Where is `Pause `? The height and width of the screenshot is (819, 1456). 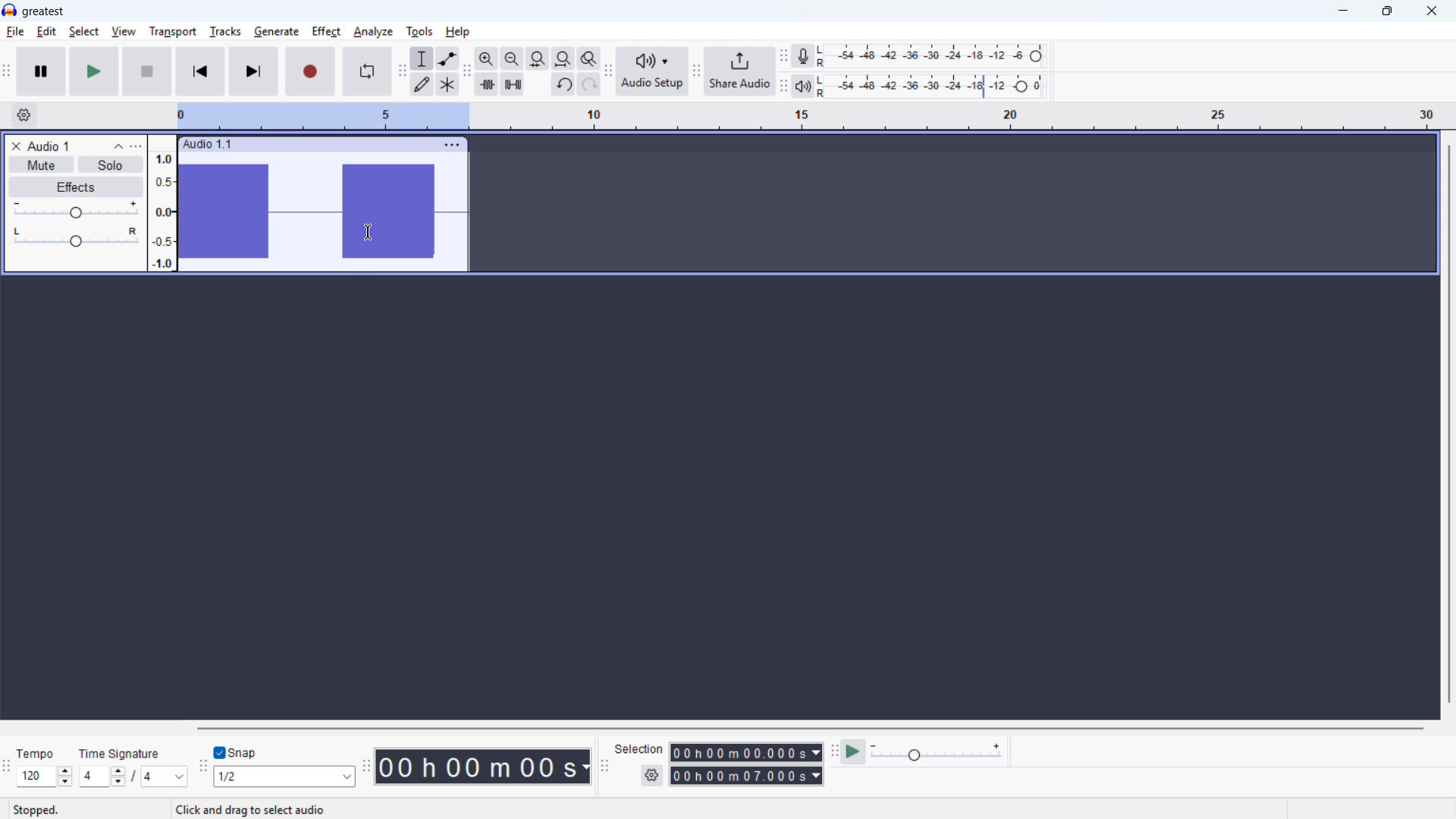 Pause  is located at coordinates (41, 71).